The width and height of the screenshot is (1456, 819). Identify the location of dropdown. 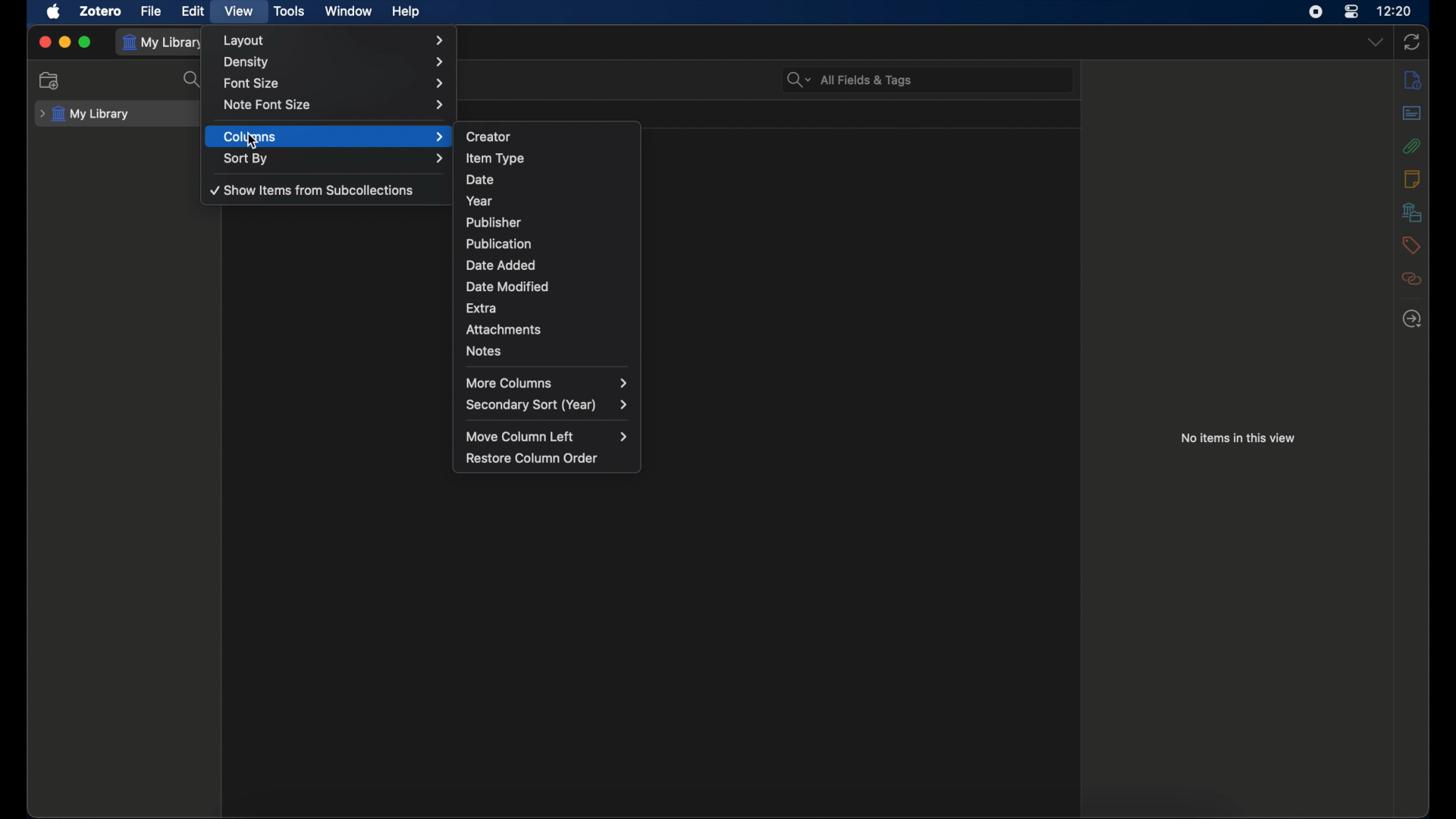
(1377, 43).